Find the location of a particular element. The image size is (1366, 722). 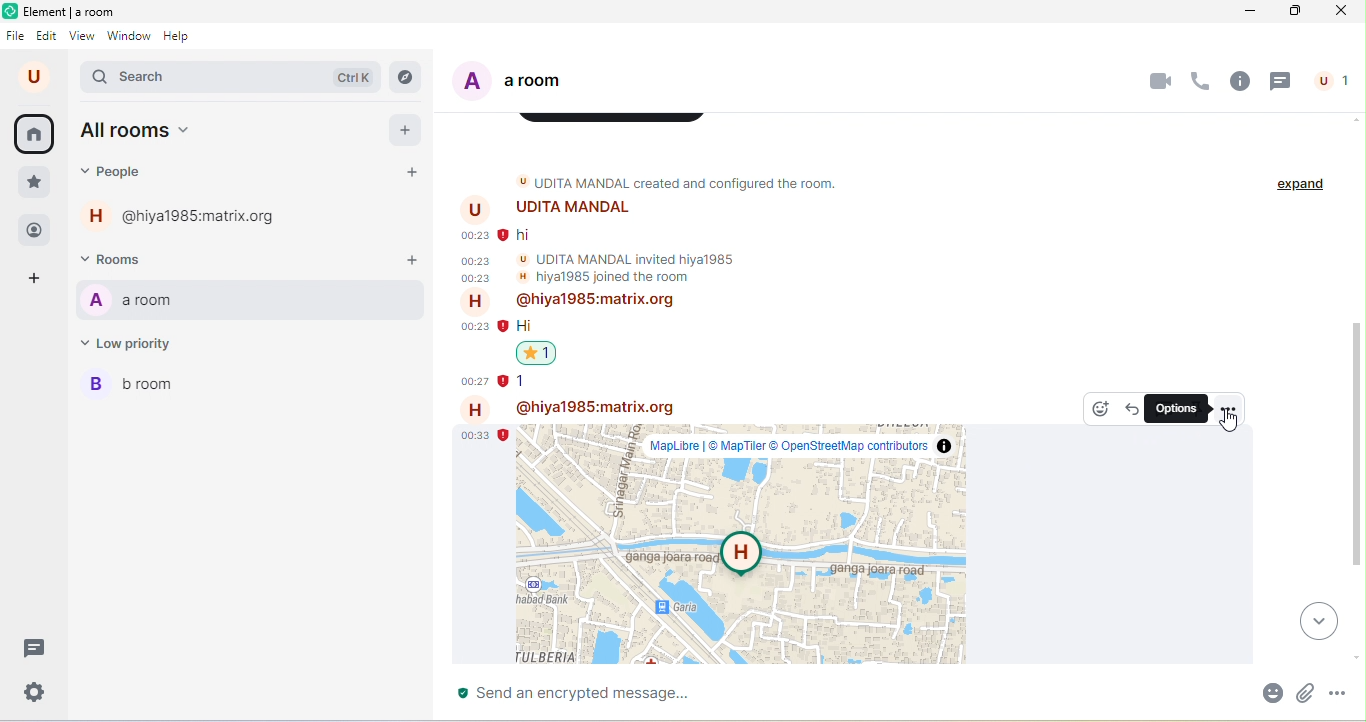

account is located at coordinates (37, 77).